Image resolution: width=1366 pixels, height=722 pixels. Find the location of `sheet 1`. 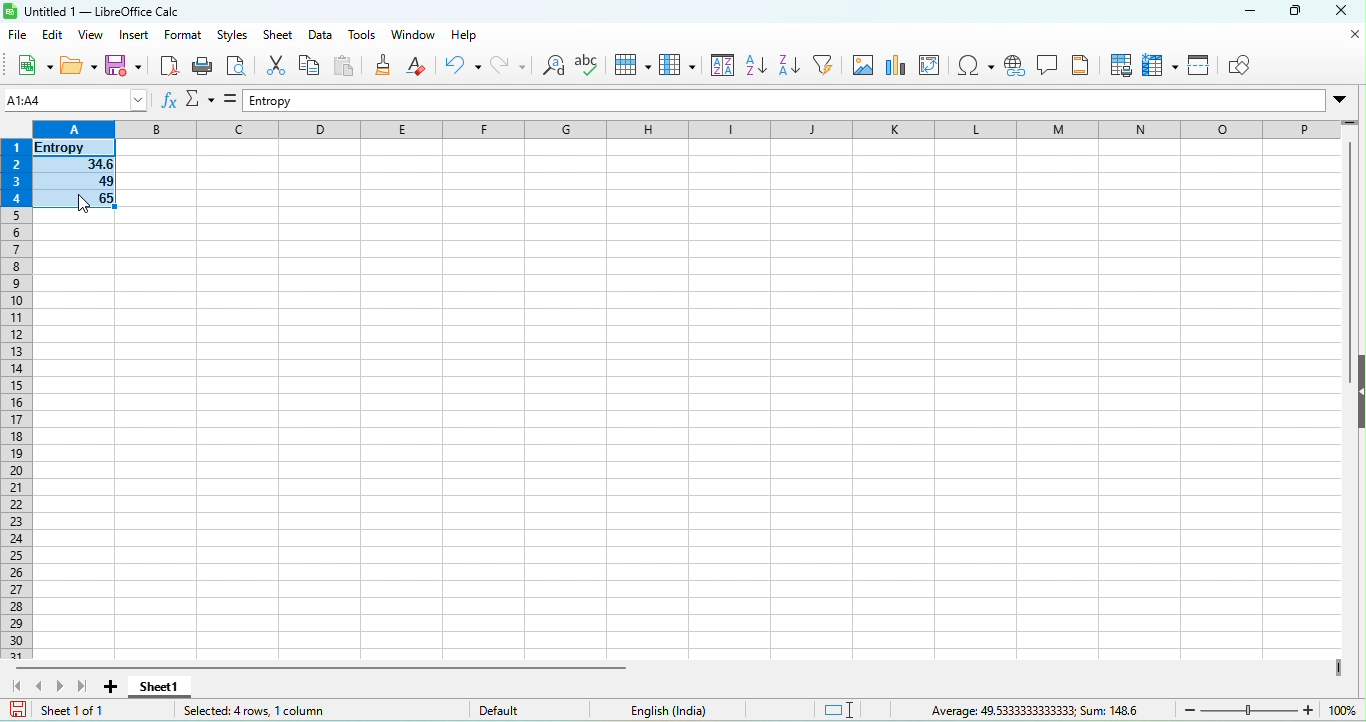

sheet 1 is located at coordinates (159, 687).